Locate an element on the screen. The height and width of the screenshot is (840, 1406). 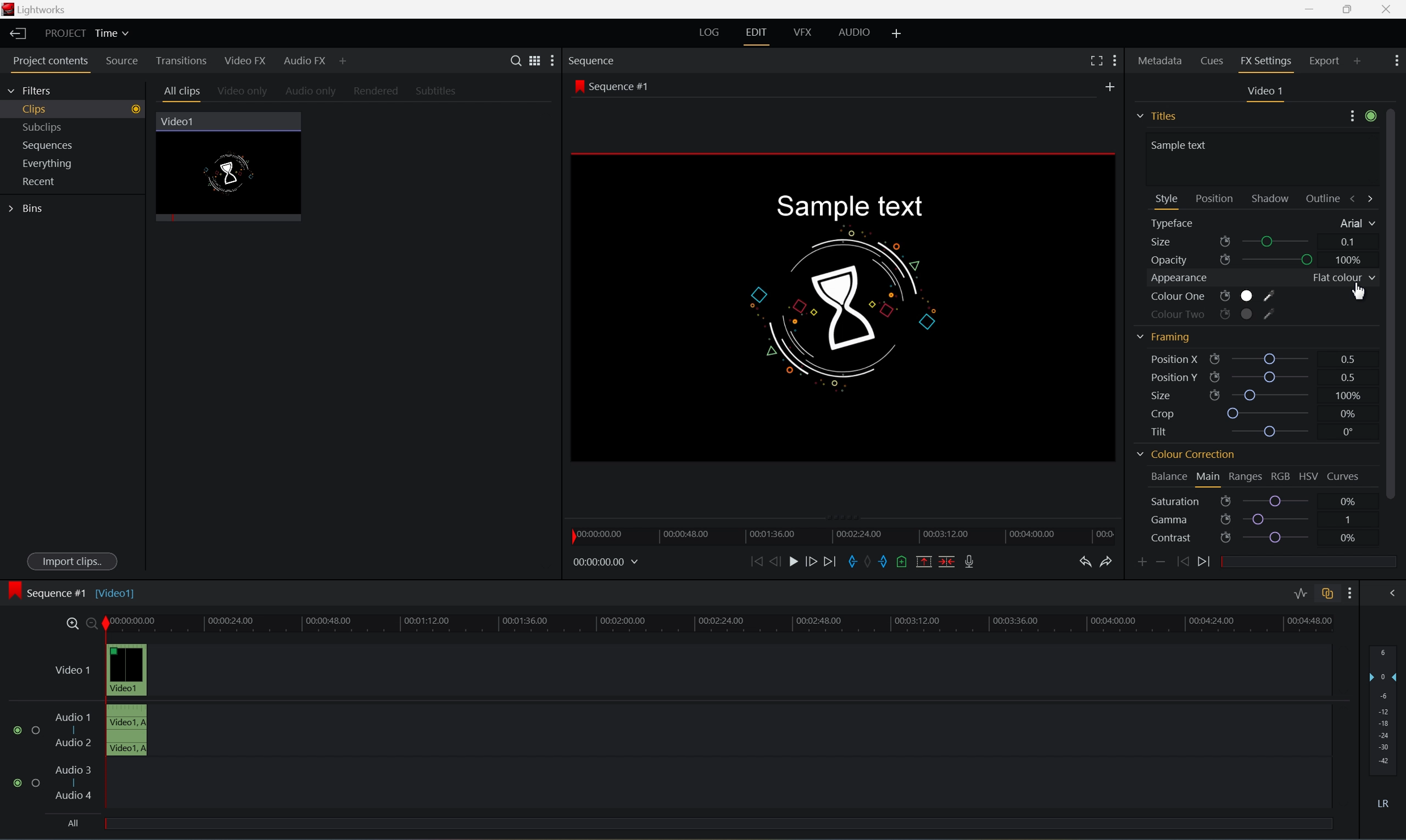
slide is located at coordinates (1391, 592).